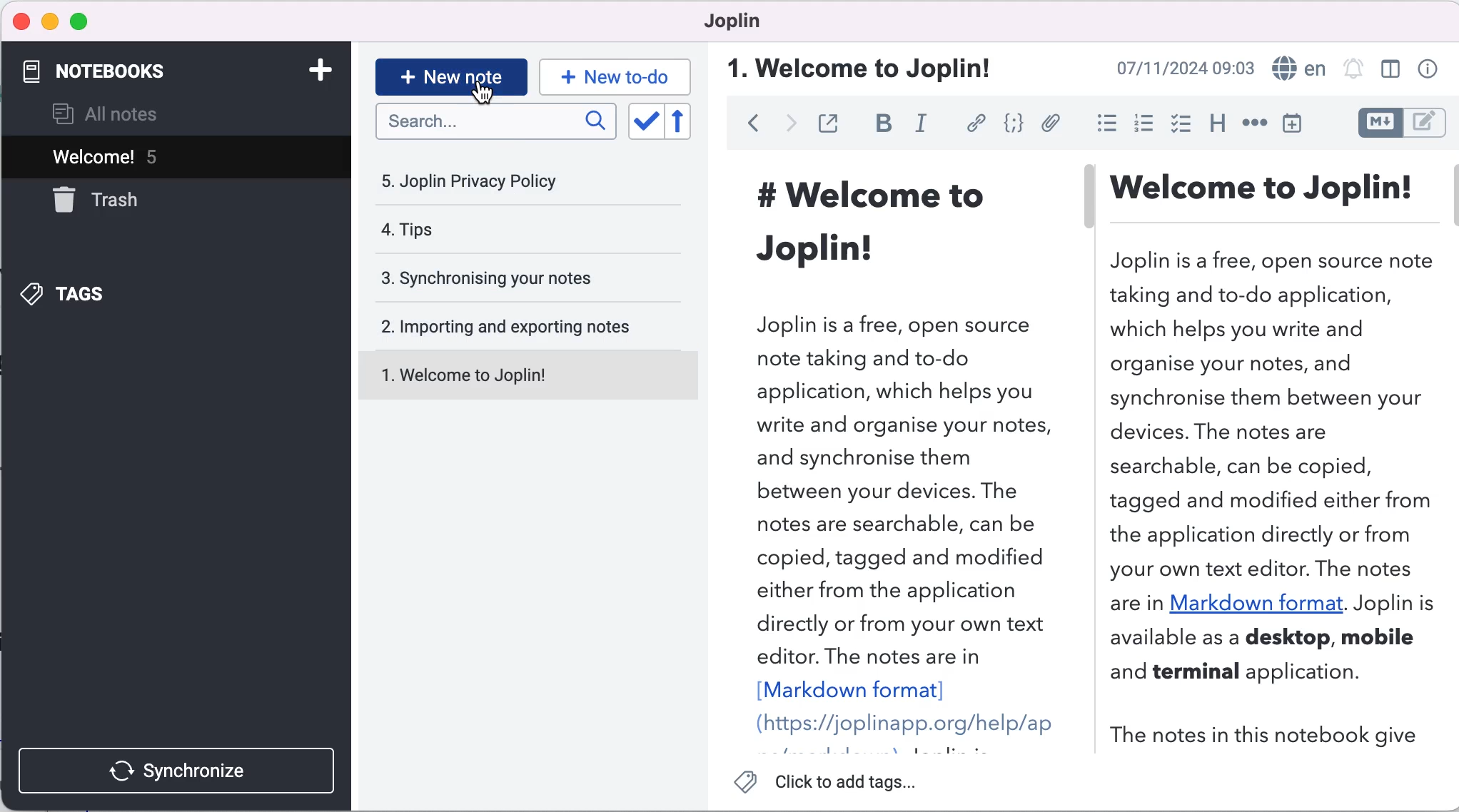 Image resolution: width=1459 pixels, height=812 pixels. I want to click on note properties, so click(1426, 70).